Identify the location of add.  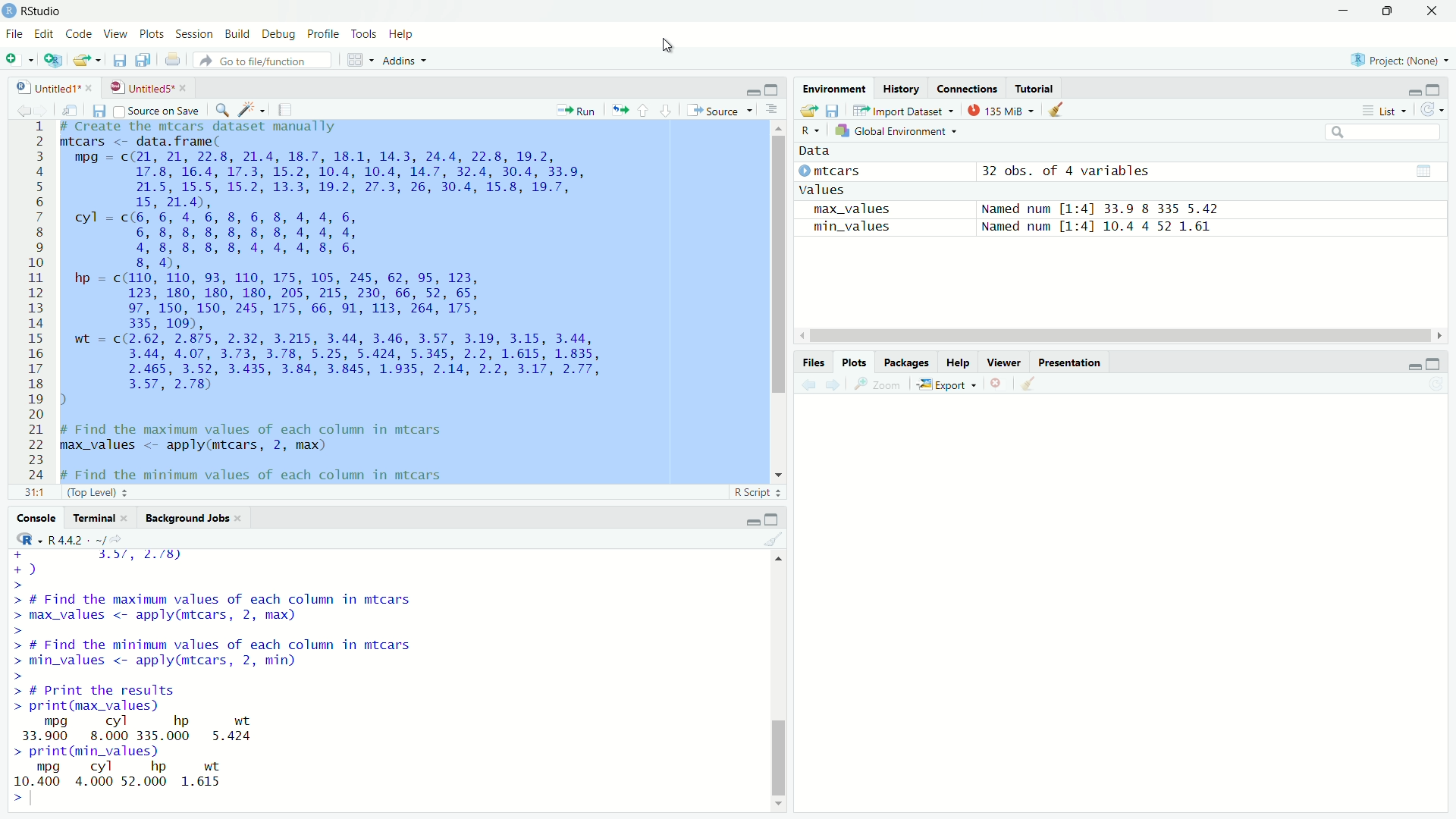
(18, 62).